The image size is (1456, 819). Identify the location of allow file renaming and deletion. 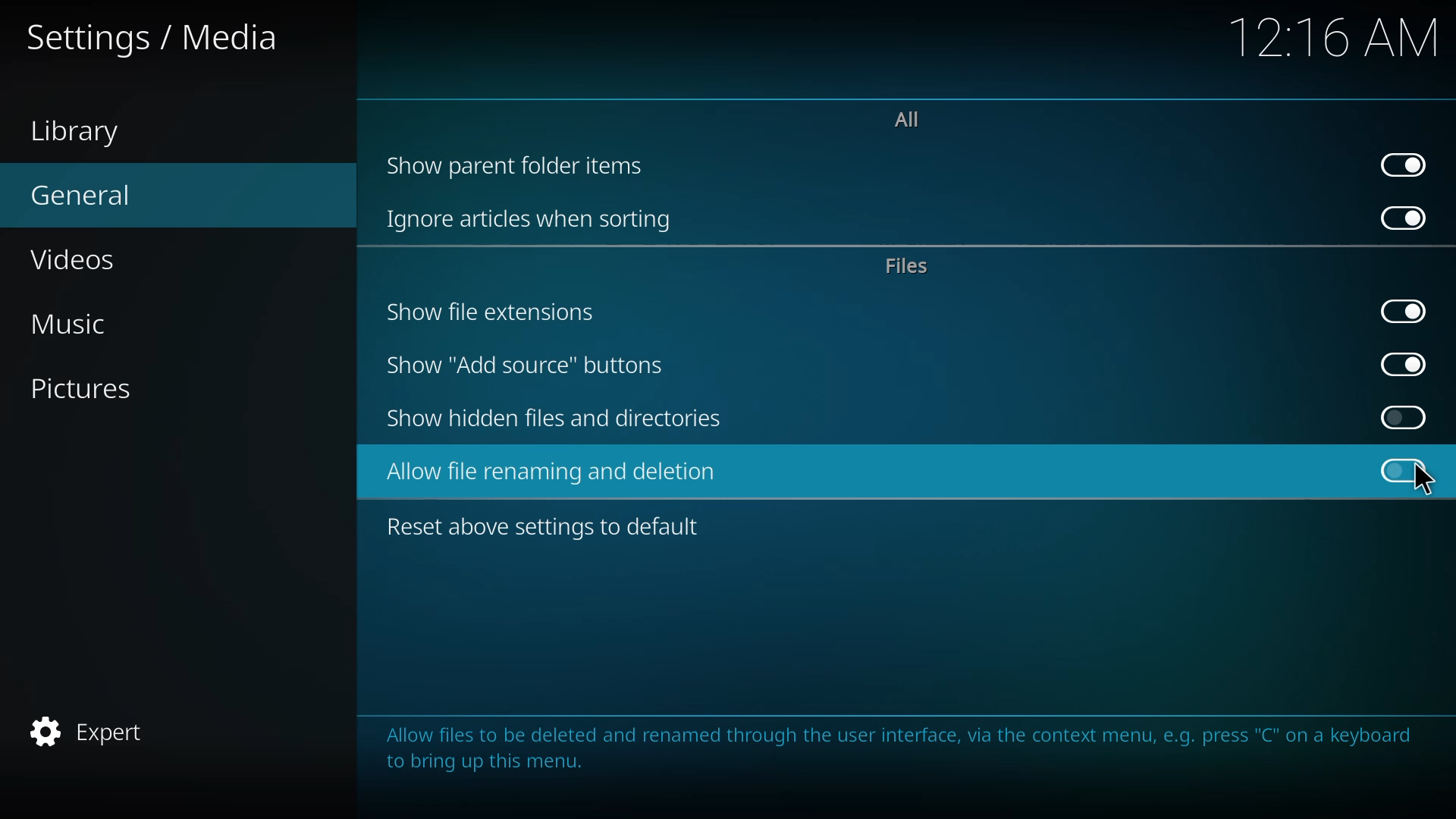
(555, 472).